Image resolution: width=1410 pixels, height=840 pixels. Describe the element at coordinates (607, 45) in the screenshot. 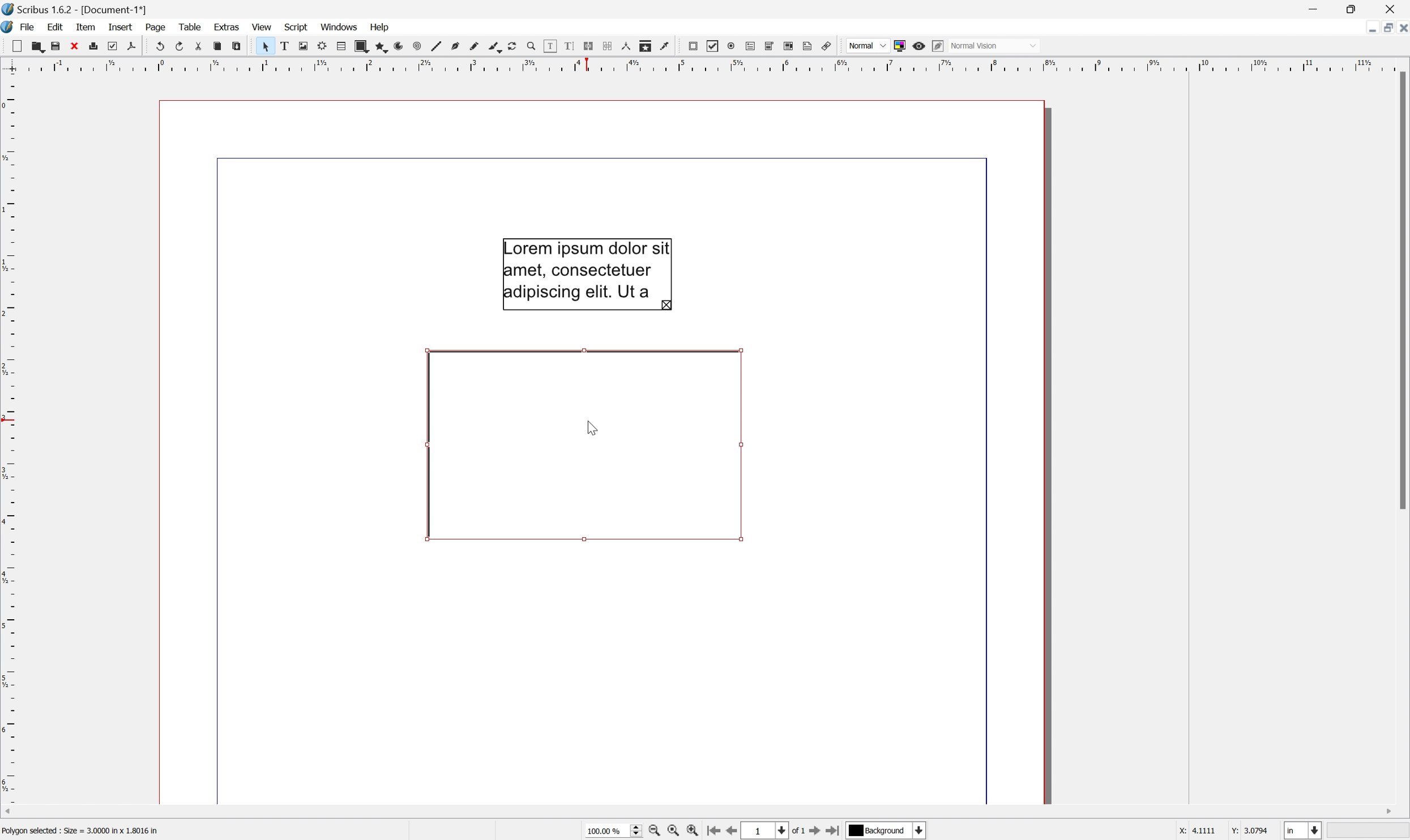

I see `Unlink text frames` at that location.